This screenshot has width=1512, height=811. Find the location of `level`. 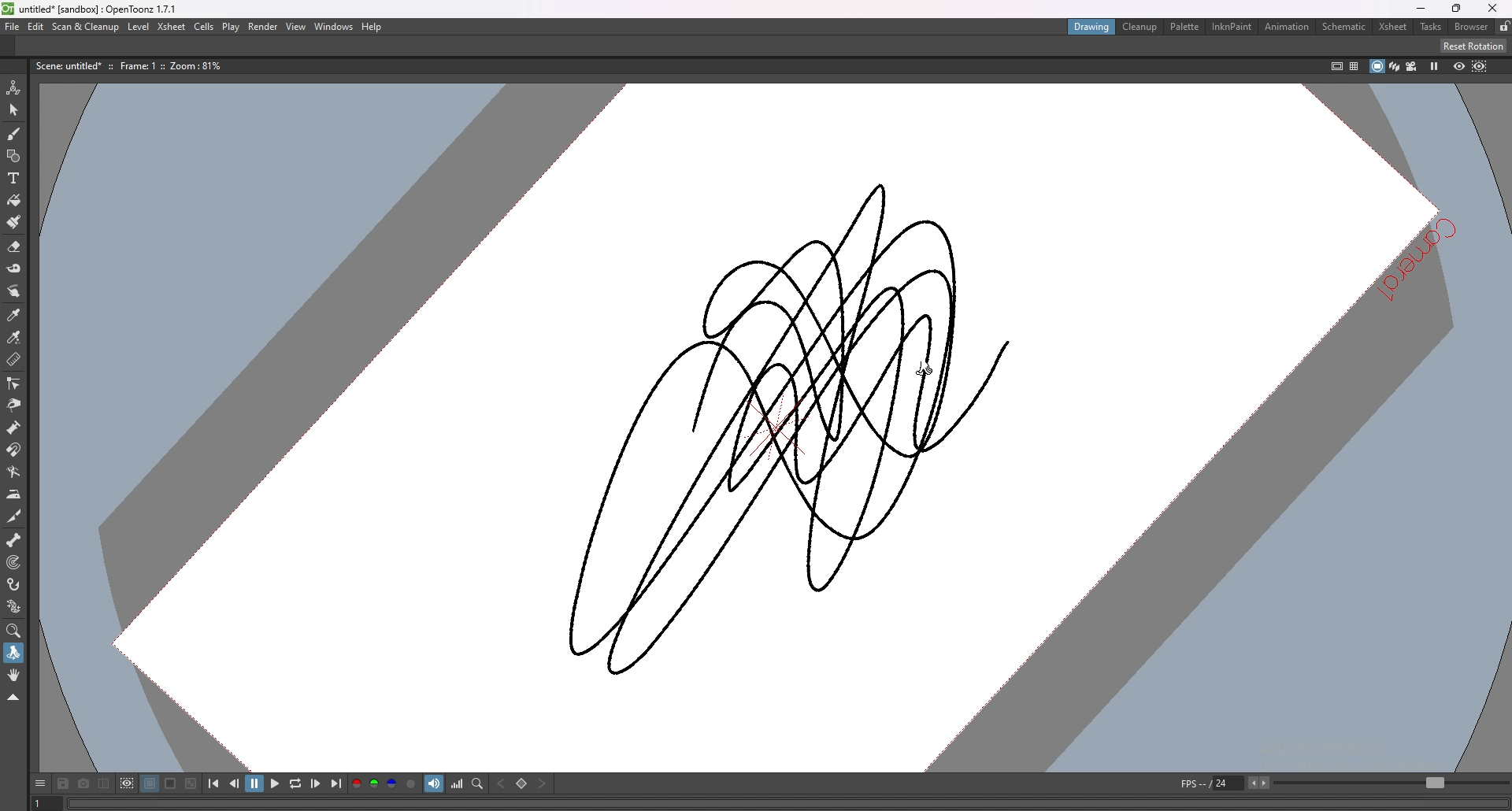

level is located at coordinates (139, 26).